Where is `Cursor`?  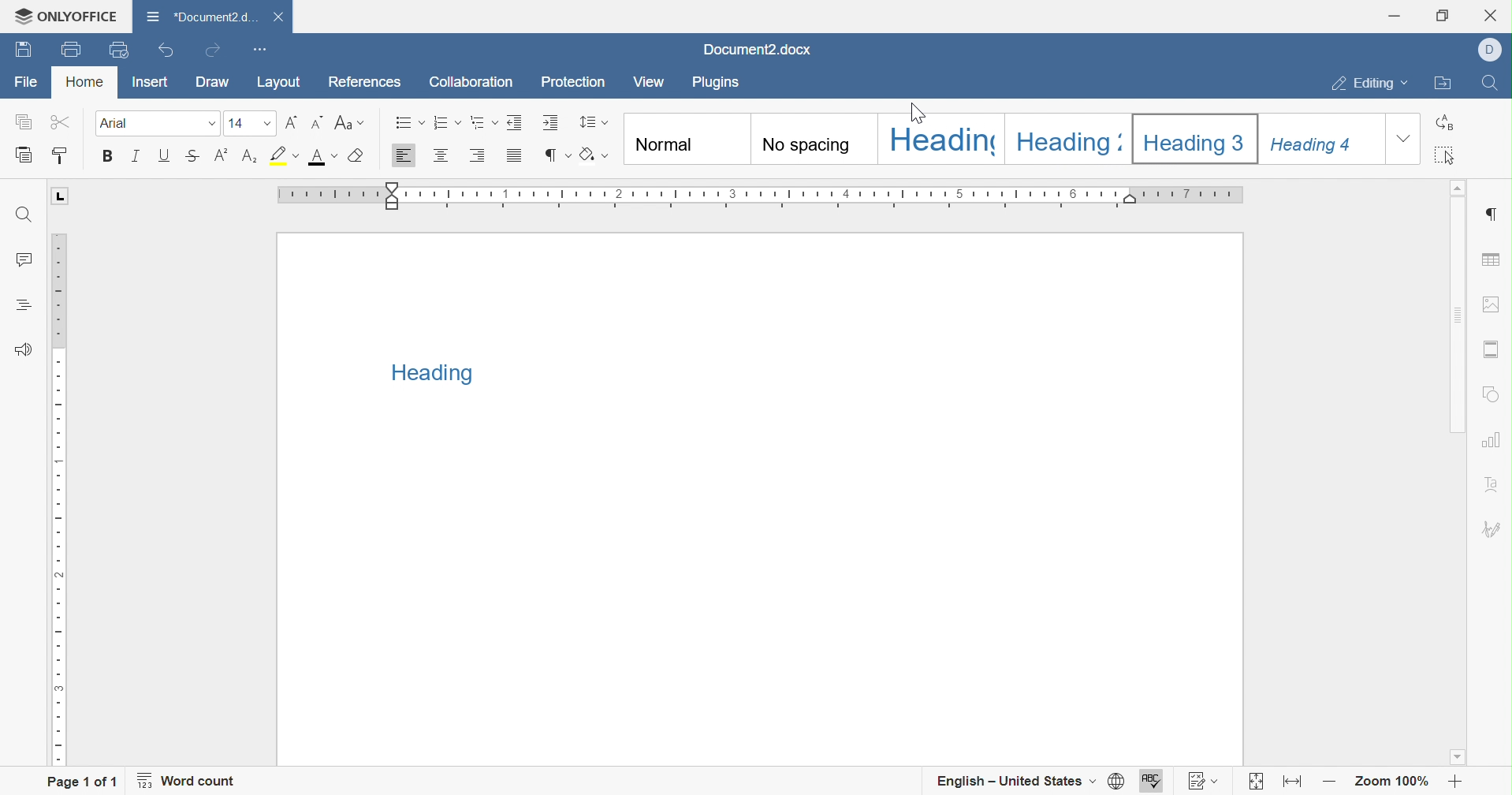
Cursor is located at coordinates (921, 116).